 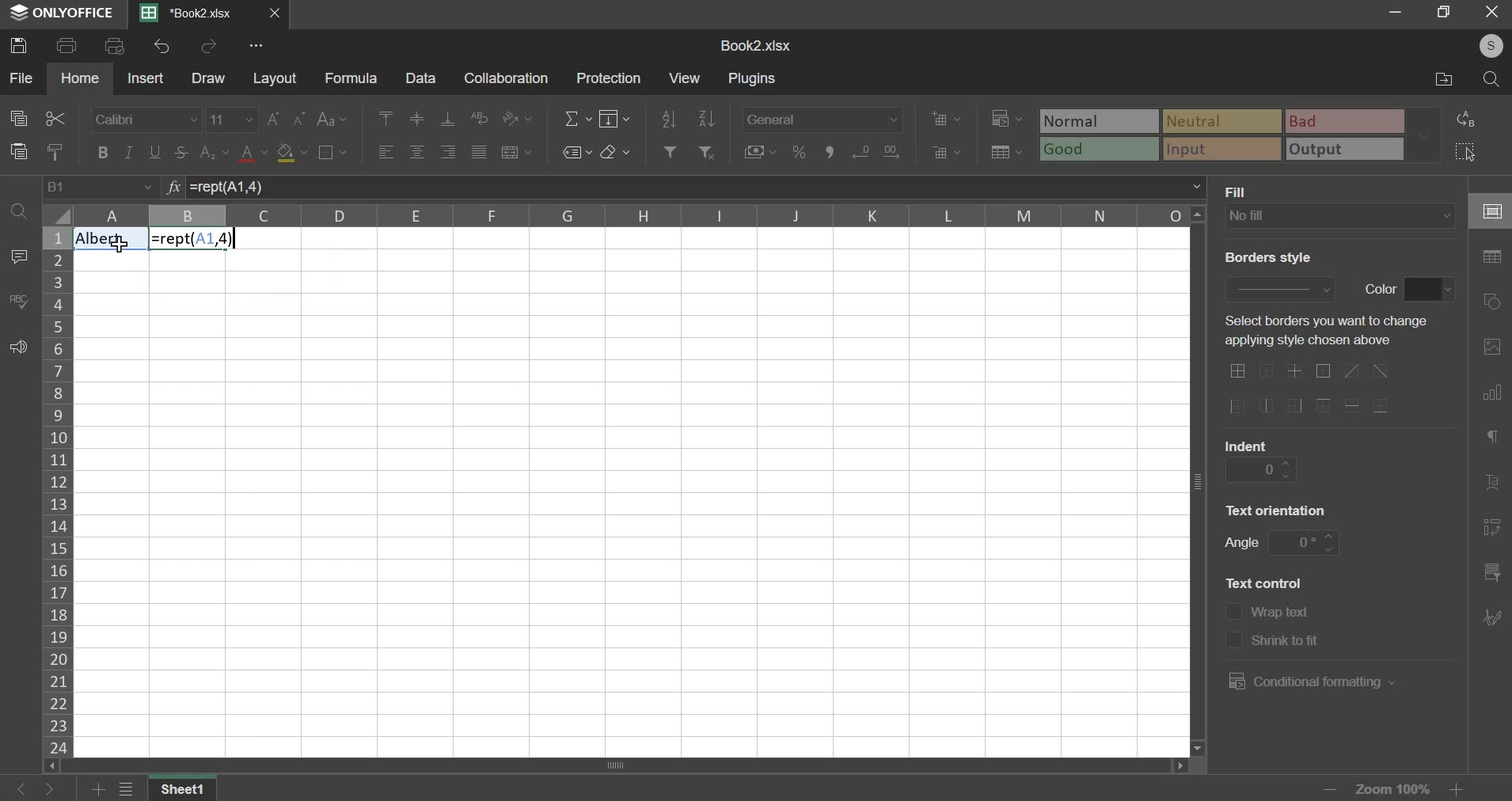 I want to click on spreadsheet, so click(x=754, y=44).